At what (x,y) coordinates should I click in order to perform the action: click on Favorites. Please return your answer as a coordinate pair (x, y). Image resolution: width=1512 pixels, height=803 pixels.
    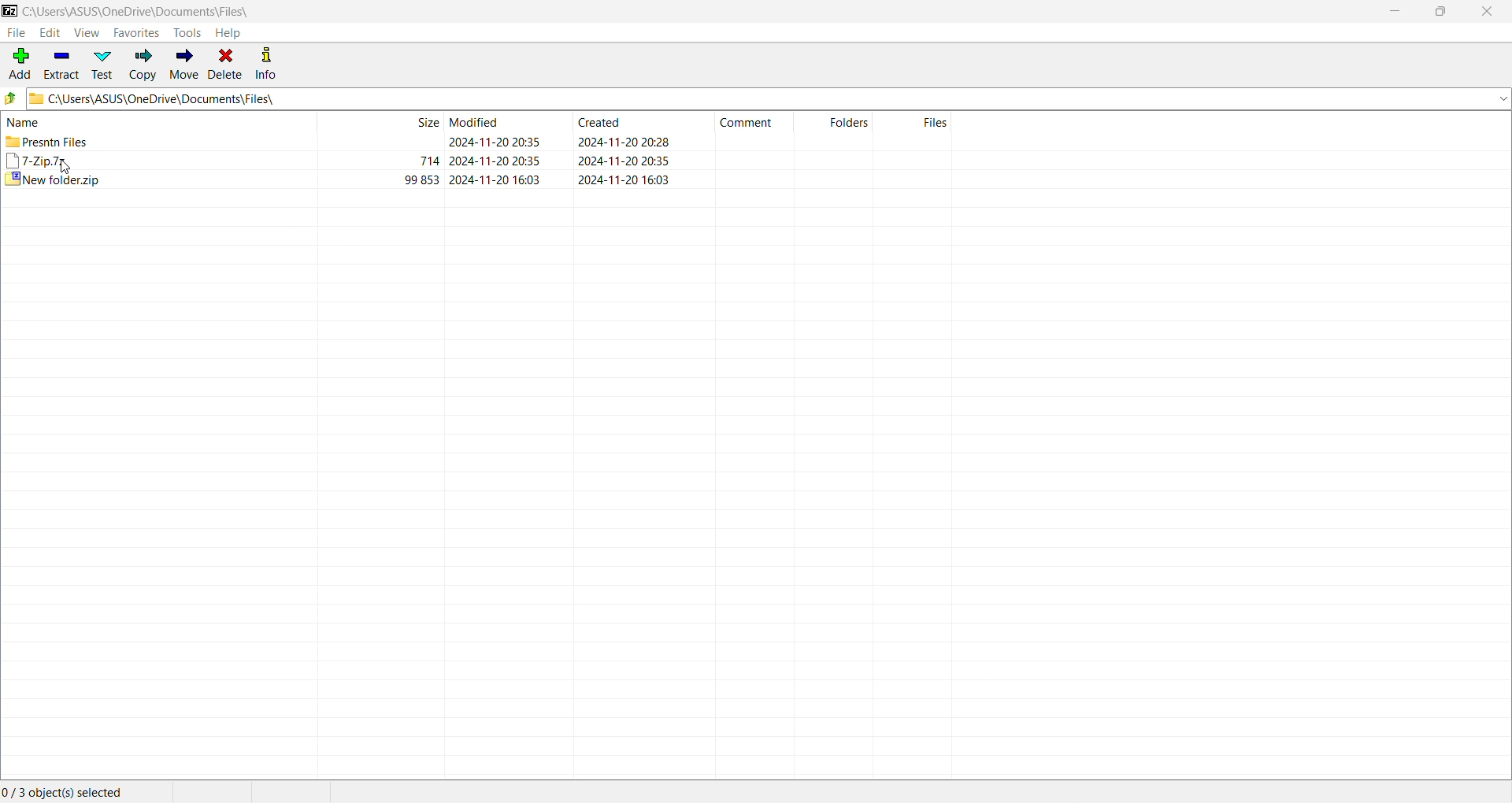
    Looking at the image, I should click on (137, 33).